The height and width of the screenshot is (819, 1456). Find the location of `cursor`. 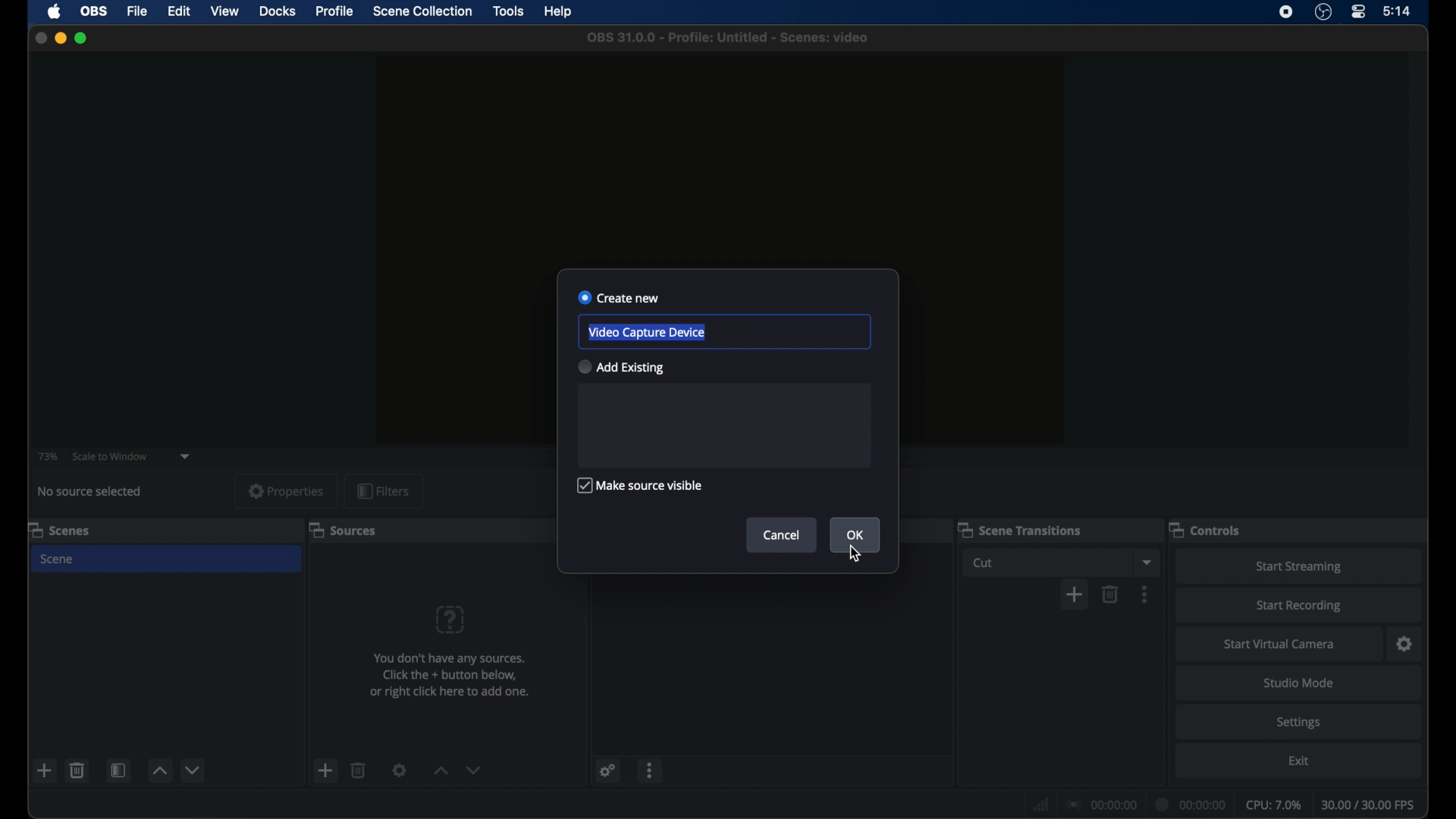

cursor is located at coordinates (855, 555).